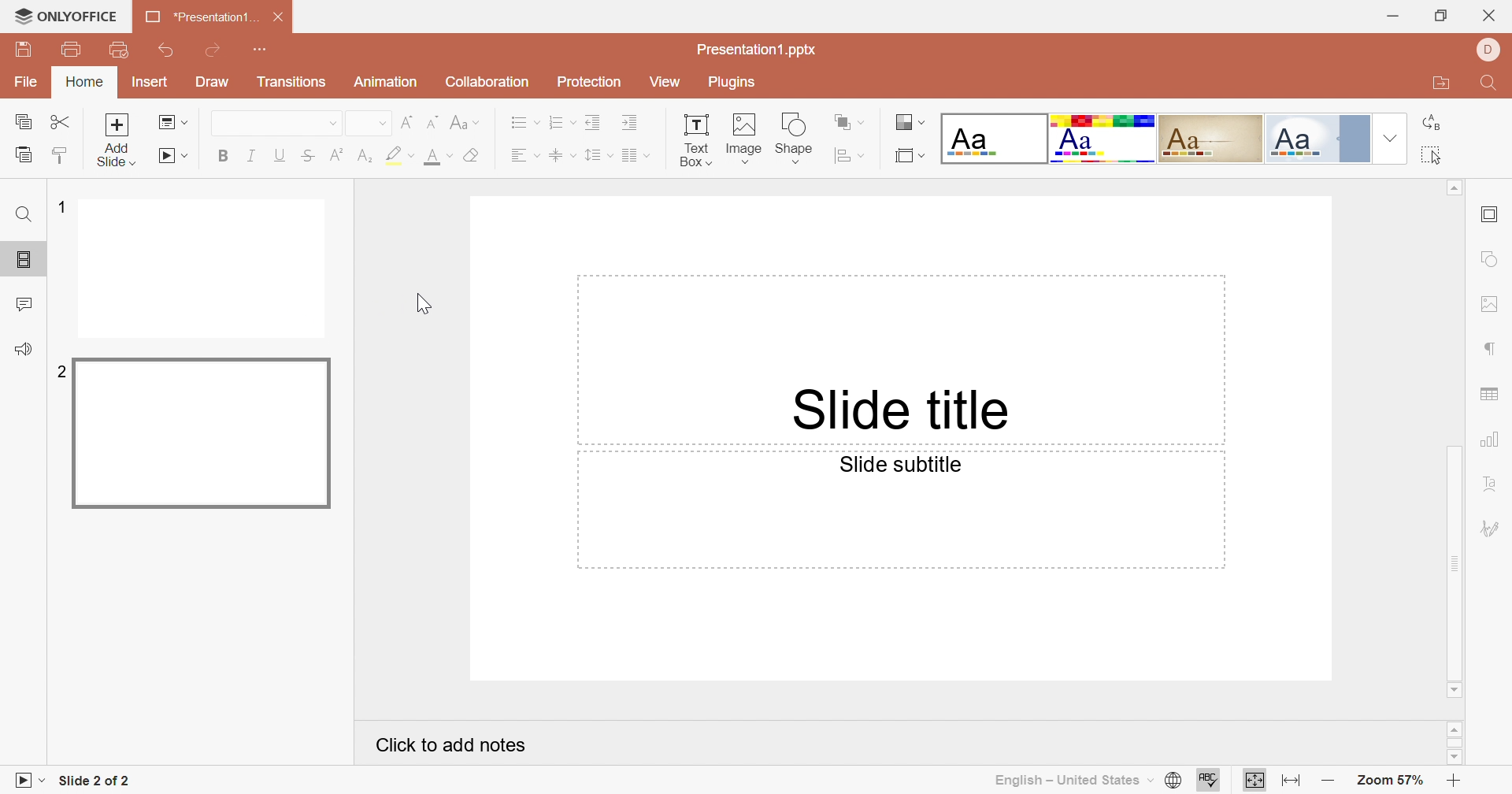 This screenshot has width=1512, height=794. Describe the element at coordinates (24, 152) in the screenshot. I see `Paste` at that location.